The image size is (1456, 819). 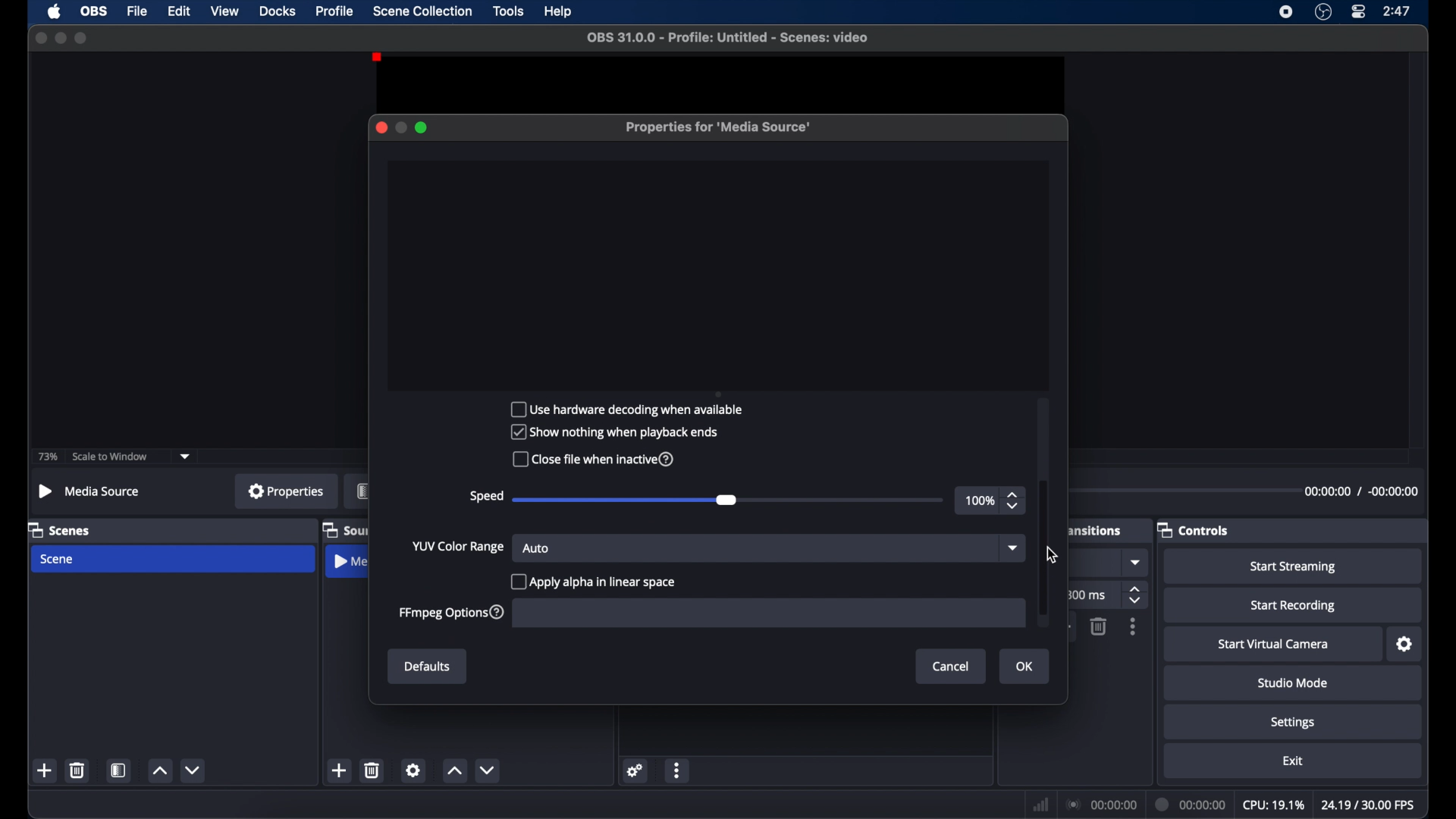 I want to click on Ok, so click(x=1023, y=667).